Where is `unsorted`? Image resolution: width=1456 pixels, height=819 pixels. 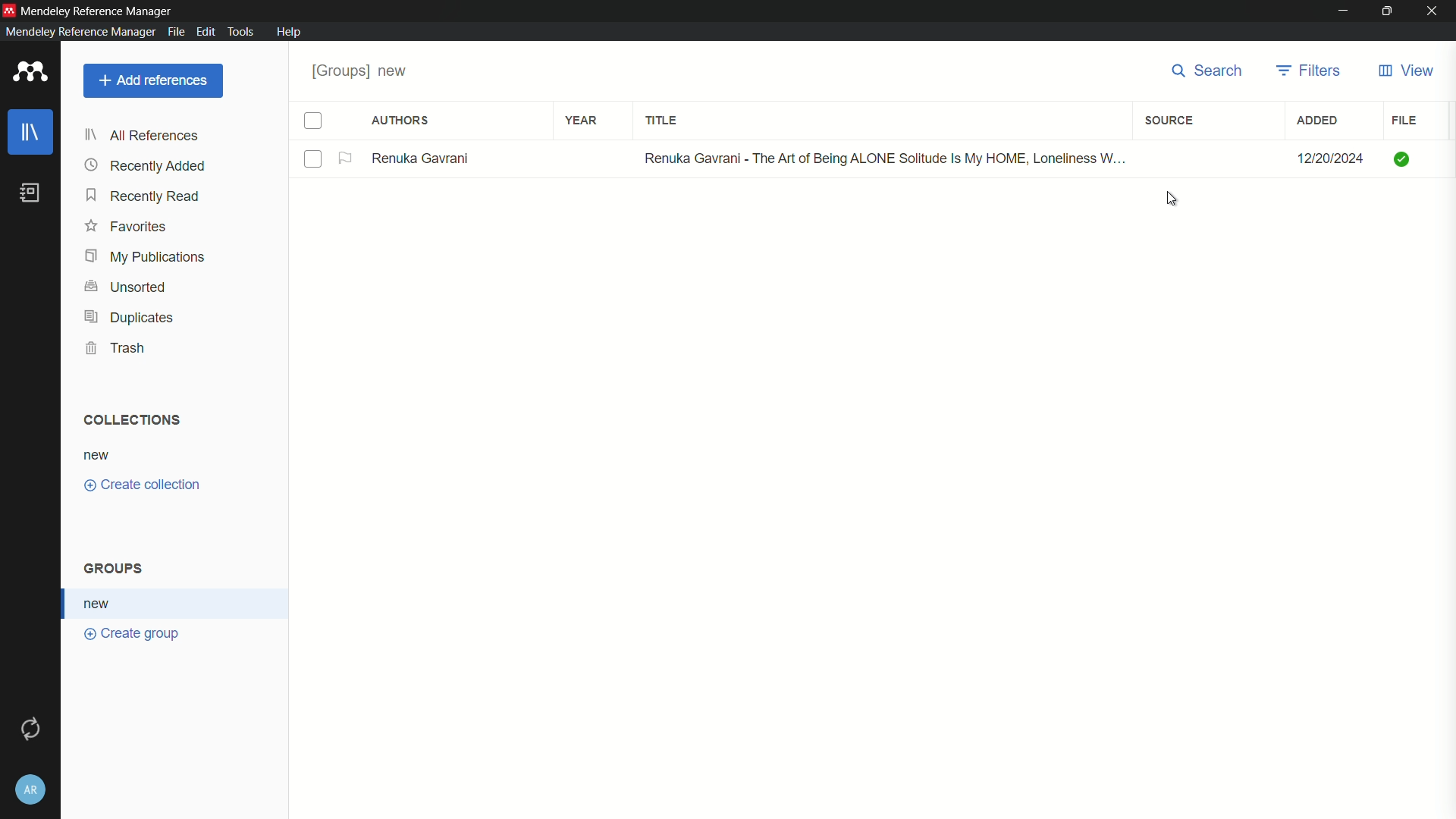 unsorted is located at coordinates (128, 287).